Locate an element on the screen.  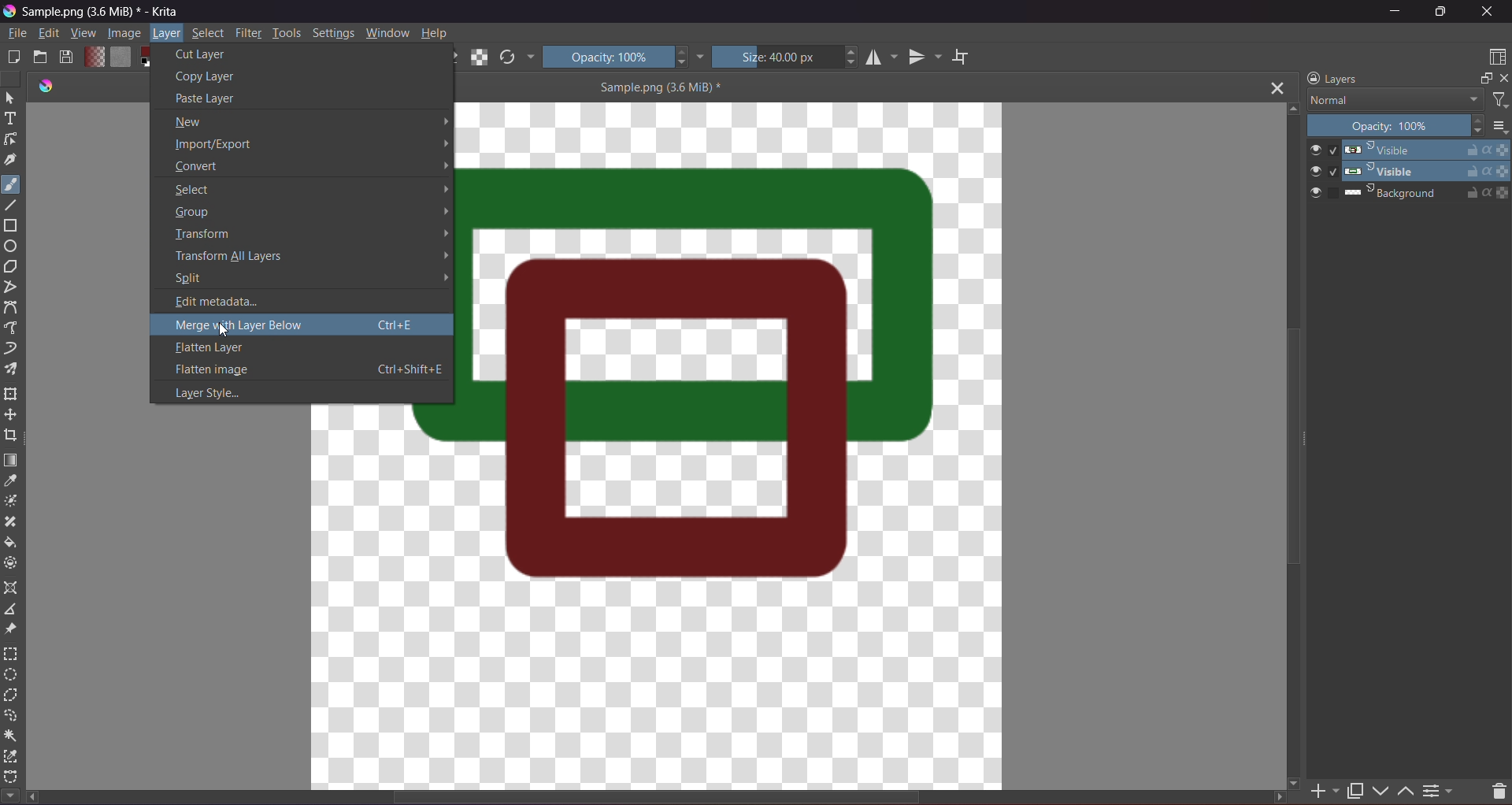
Select is located at coordinates (10, 98).